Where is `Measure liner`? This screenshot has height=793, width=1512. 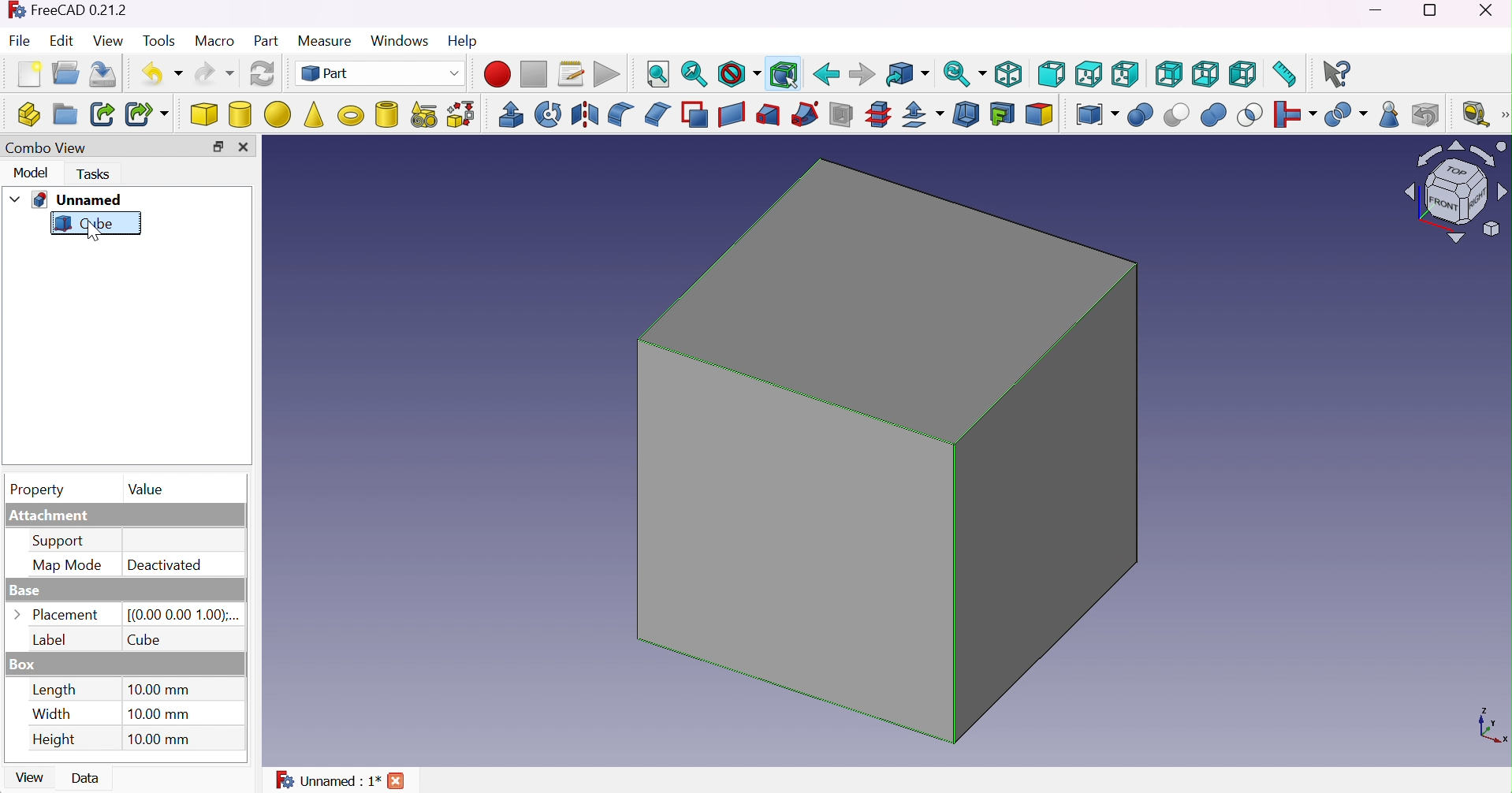
Measure liner is located at coordinates (1473, 114).